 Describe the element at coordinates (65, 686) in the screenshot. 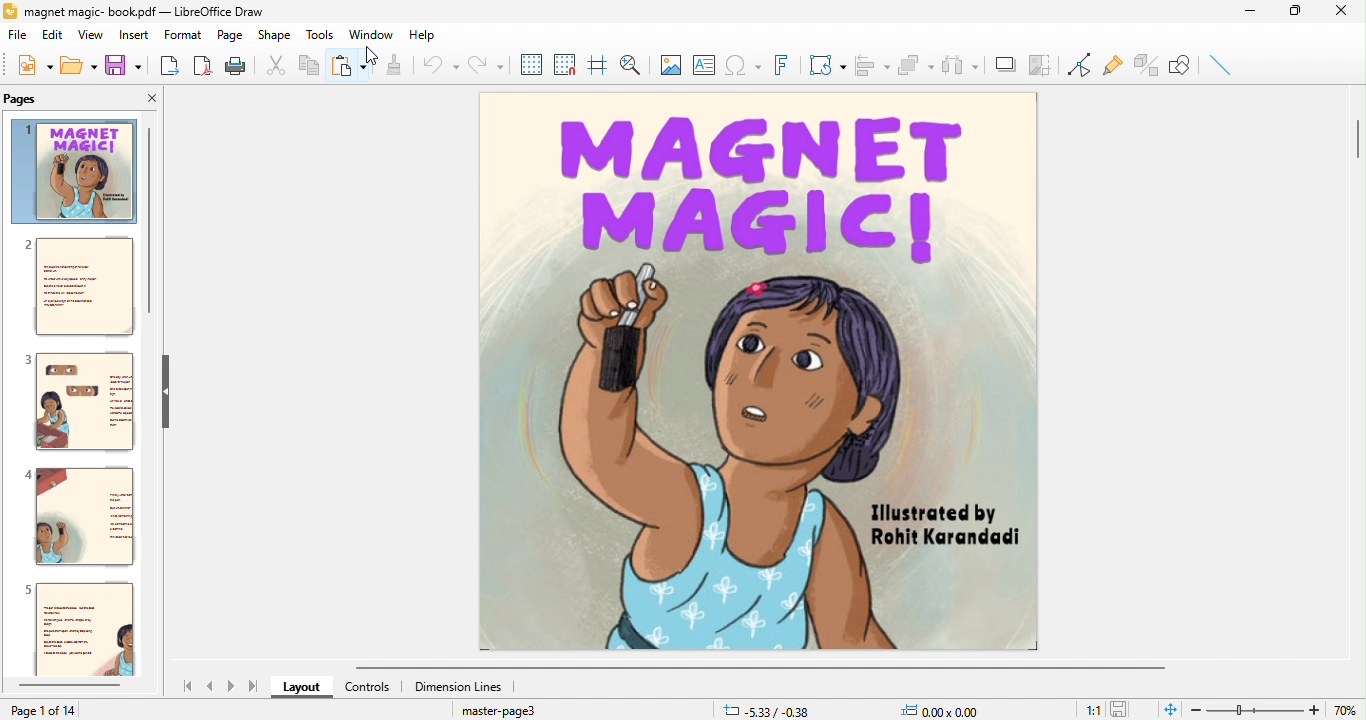

I see `horizontal scroll bar` at that location.